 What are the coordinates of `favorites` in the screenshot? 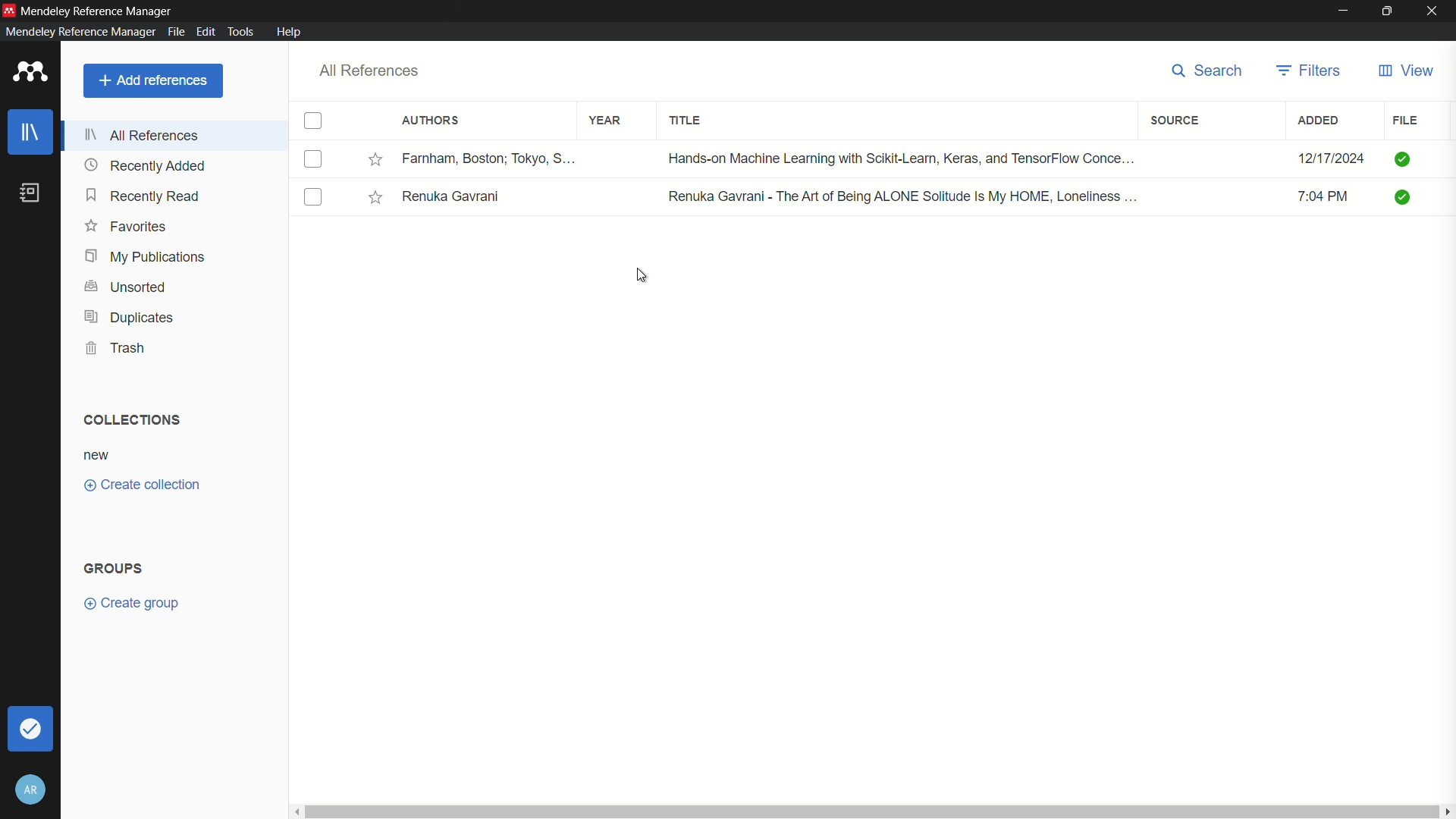 It's located at (126, 227).